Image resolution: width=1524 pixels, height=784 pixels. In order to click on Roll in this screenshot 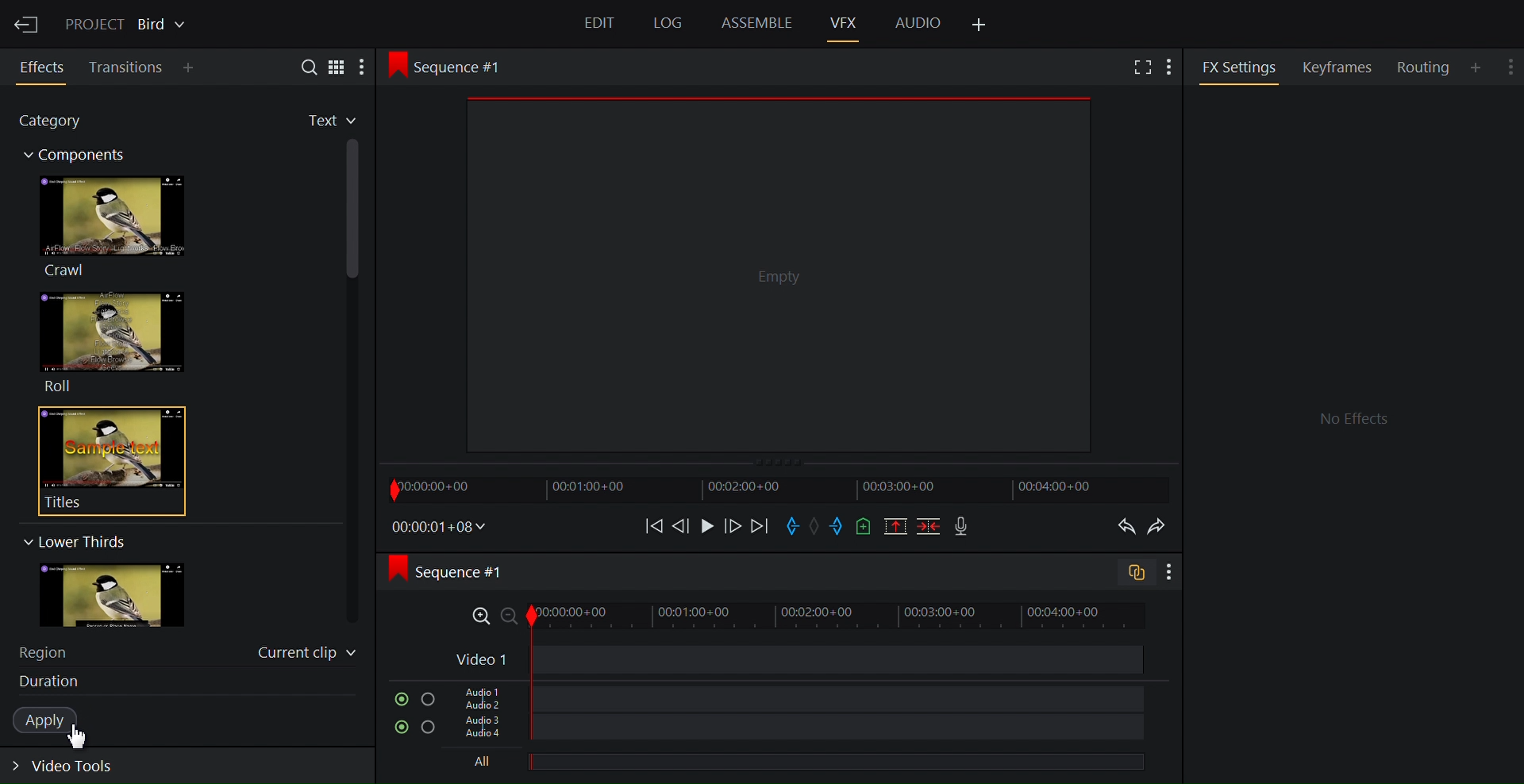, I will do `click(111, 342)`.